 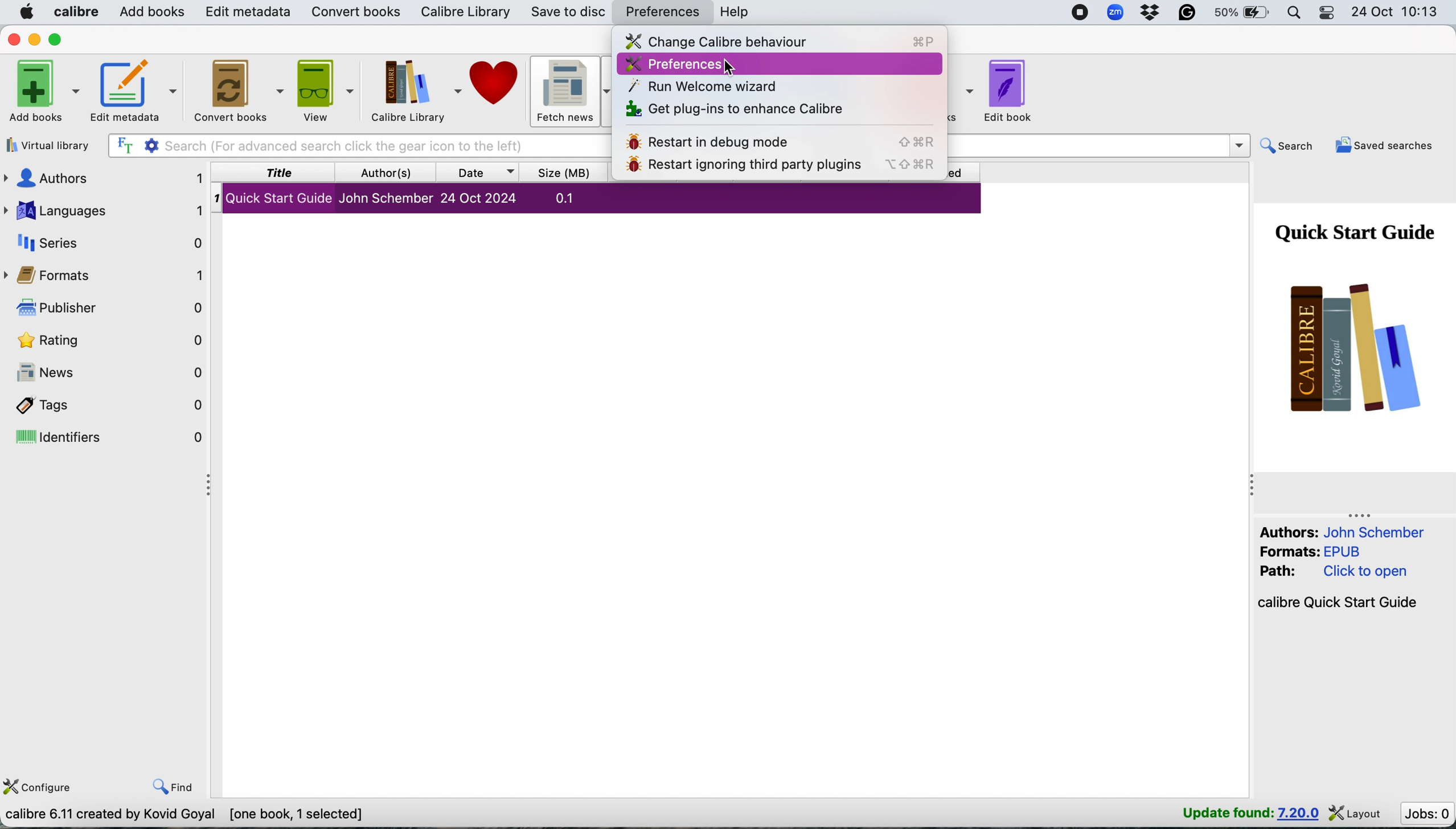 I want to click on preferences, so click(x=672, y=65).